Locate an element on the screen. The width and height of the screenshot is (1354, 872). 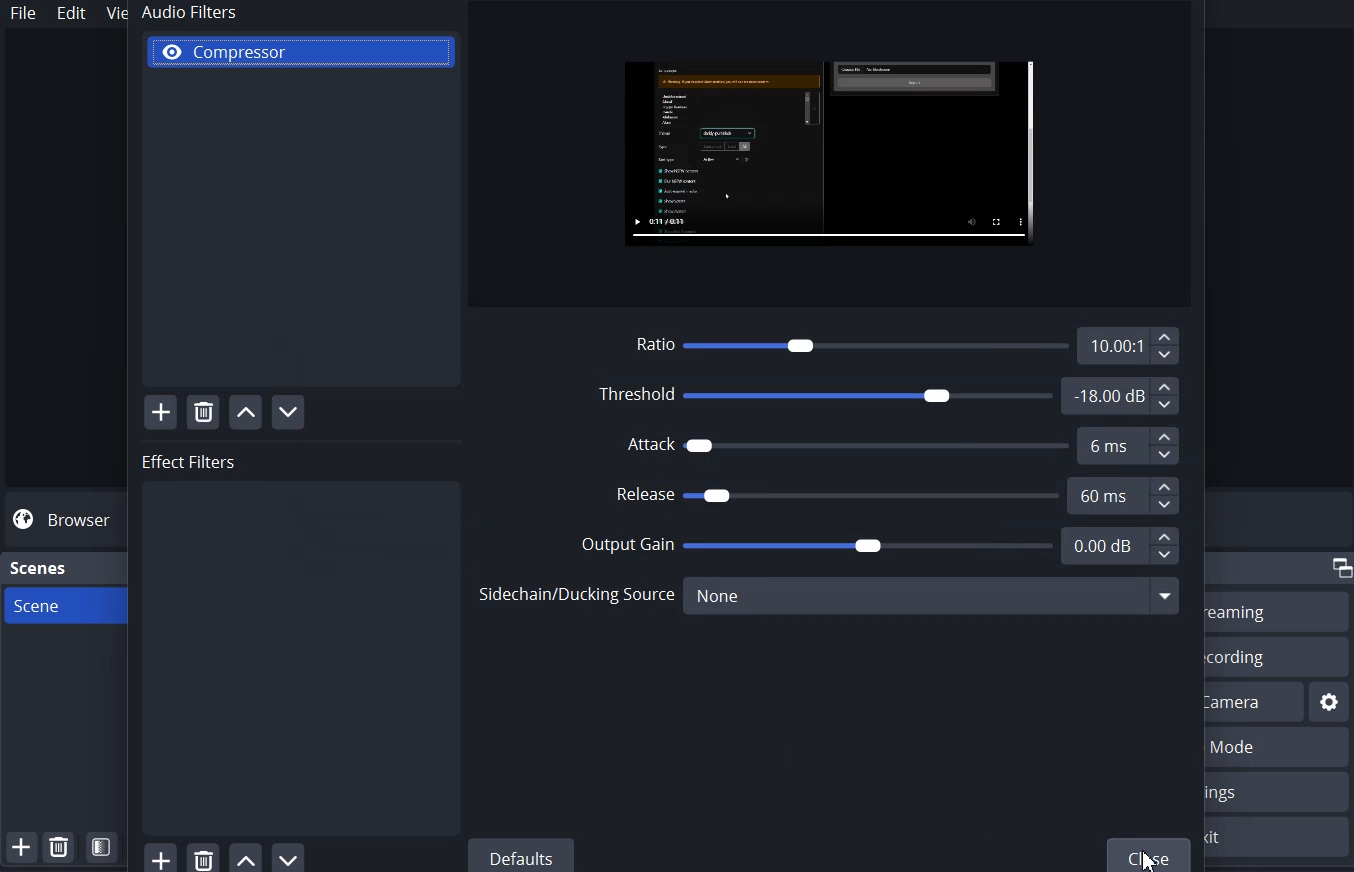
Settings is located at coordinates (1330, 702).